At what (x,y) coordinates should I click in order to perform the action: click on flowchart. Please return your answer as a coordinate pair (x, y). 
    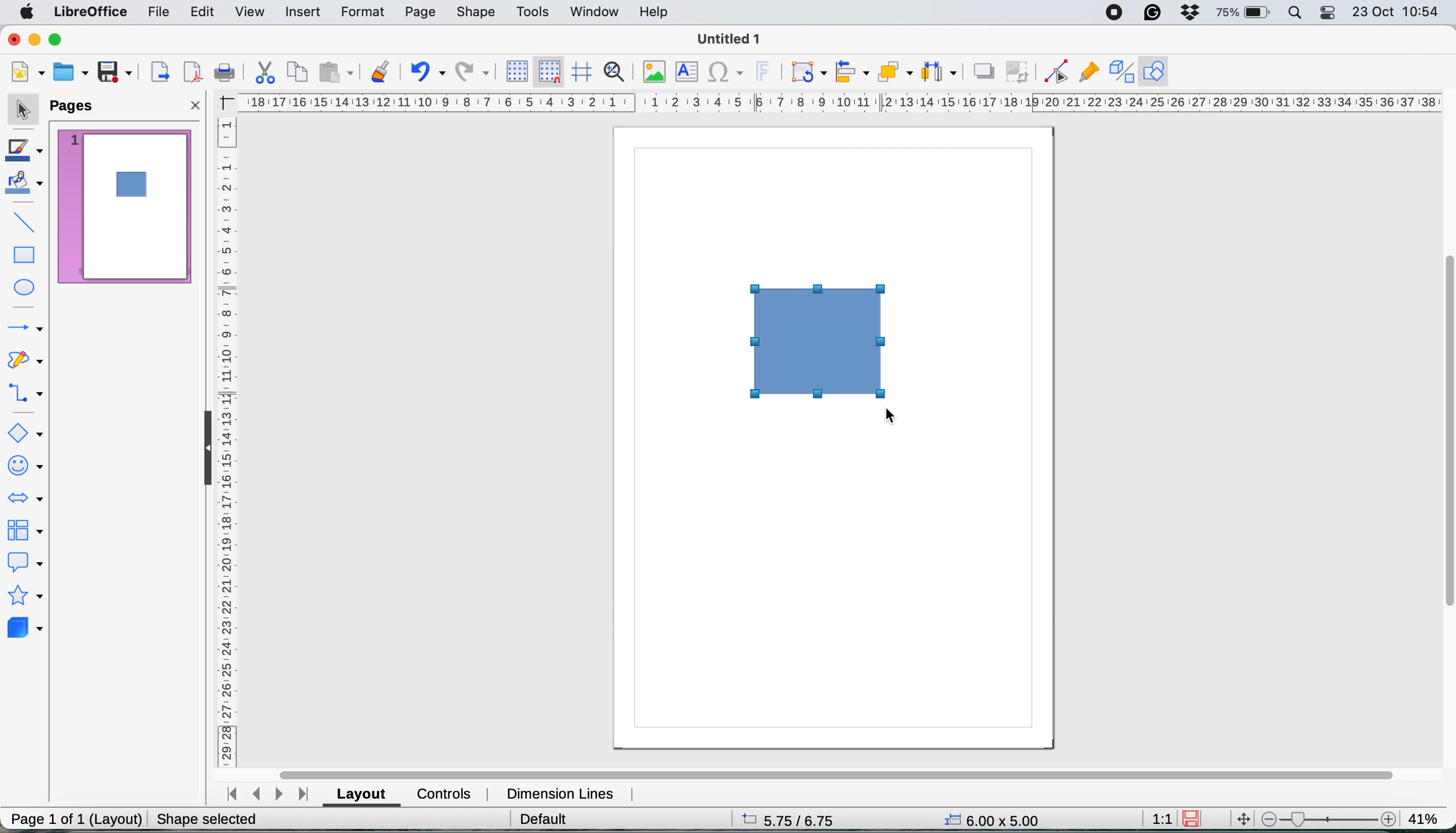
    Looking at the image, I should click on (25, 530).